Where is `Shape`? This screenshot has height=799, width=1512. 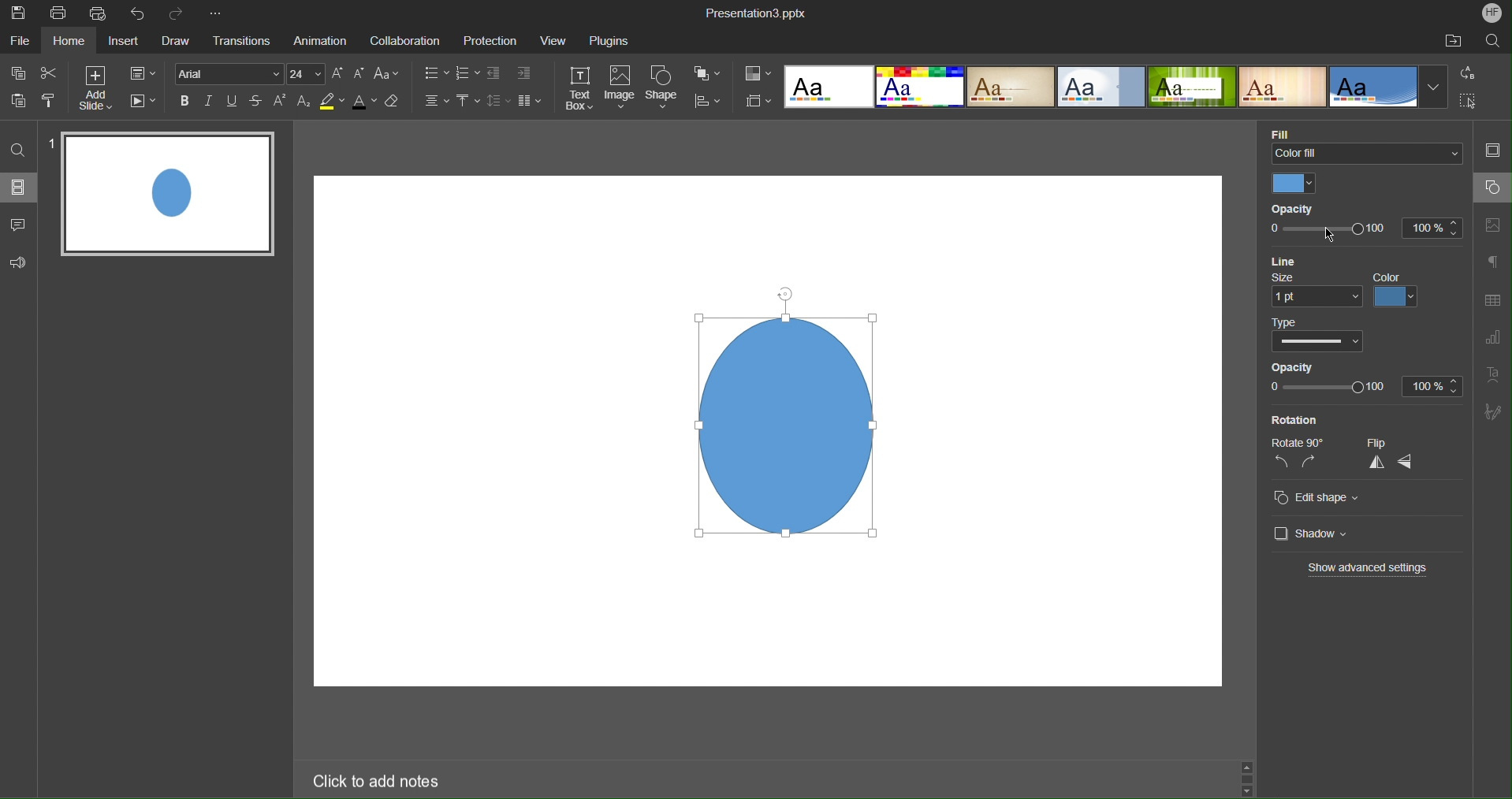
Shape is located at coordinates (665, 89).